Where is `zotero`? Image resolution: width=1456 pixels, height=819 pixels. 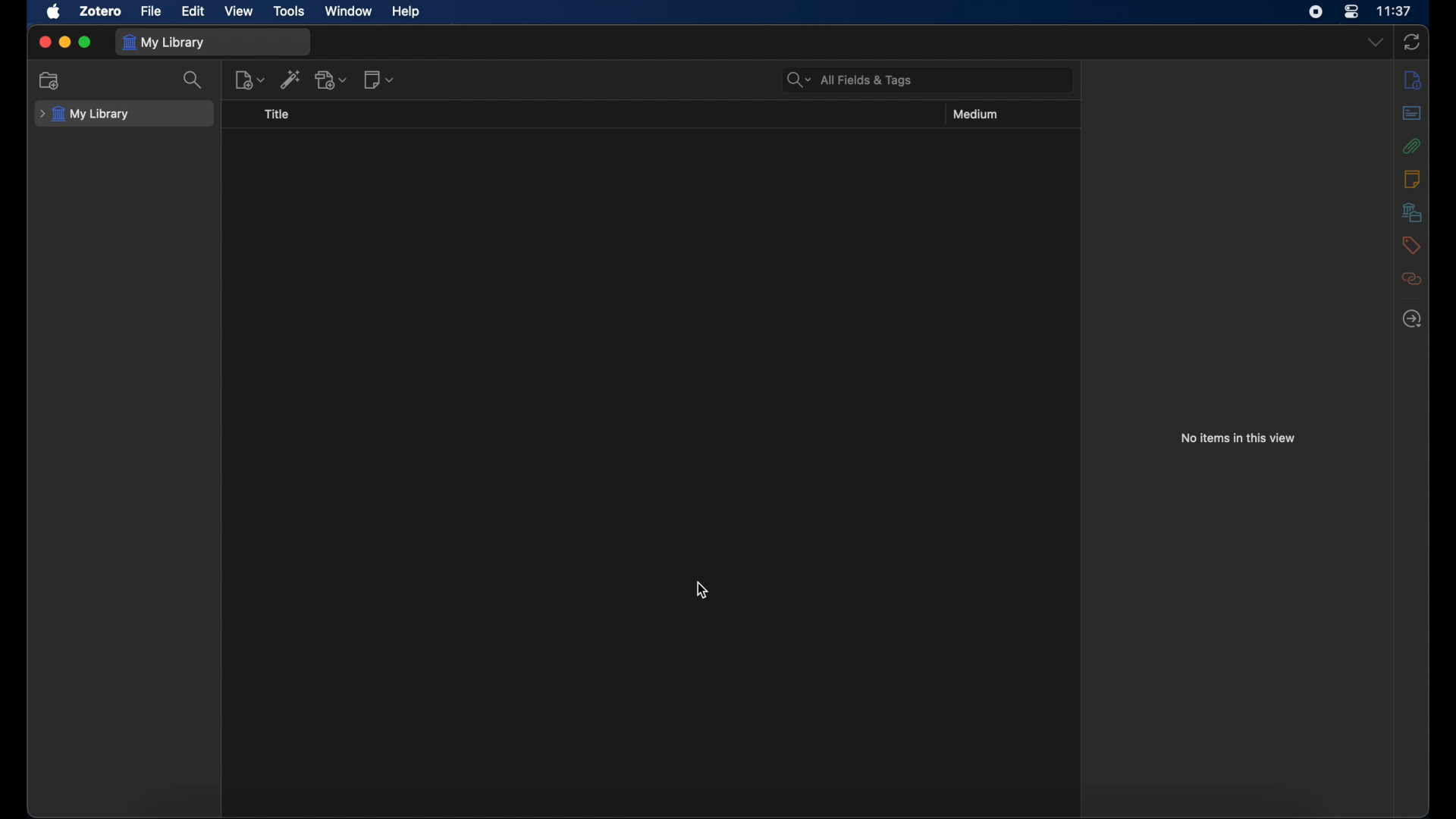
zotero is located at coordinates (101, 11).